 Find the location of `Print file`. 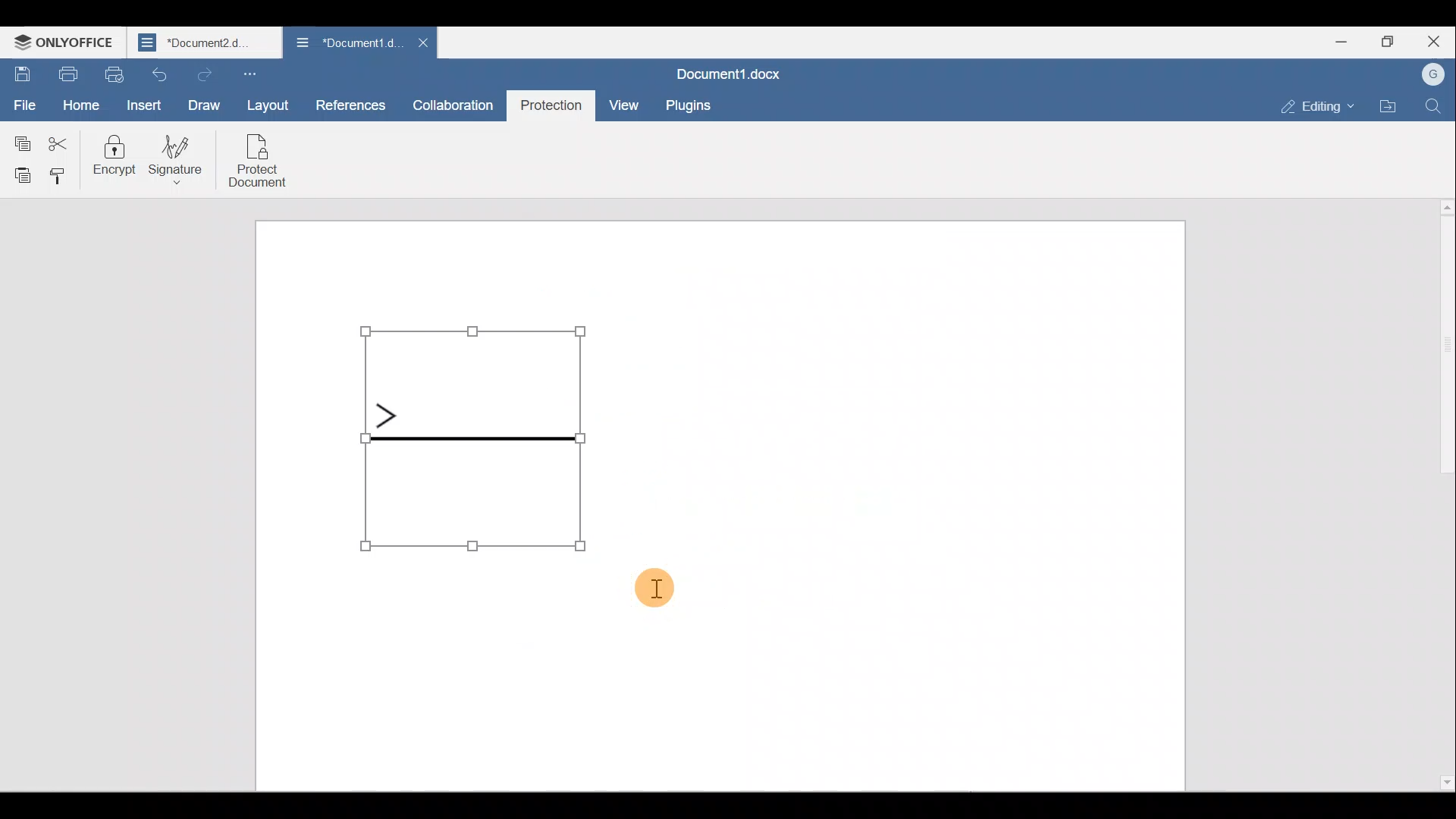

Print file is located at coordinates (67, 74).